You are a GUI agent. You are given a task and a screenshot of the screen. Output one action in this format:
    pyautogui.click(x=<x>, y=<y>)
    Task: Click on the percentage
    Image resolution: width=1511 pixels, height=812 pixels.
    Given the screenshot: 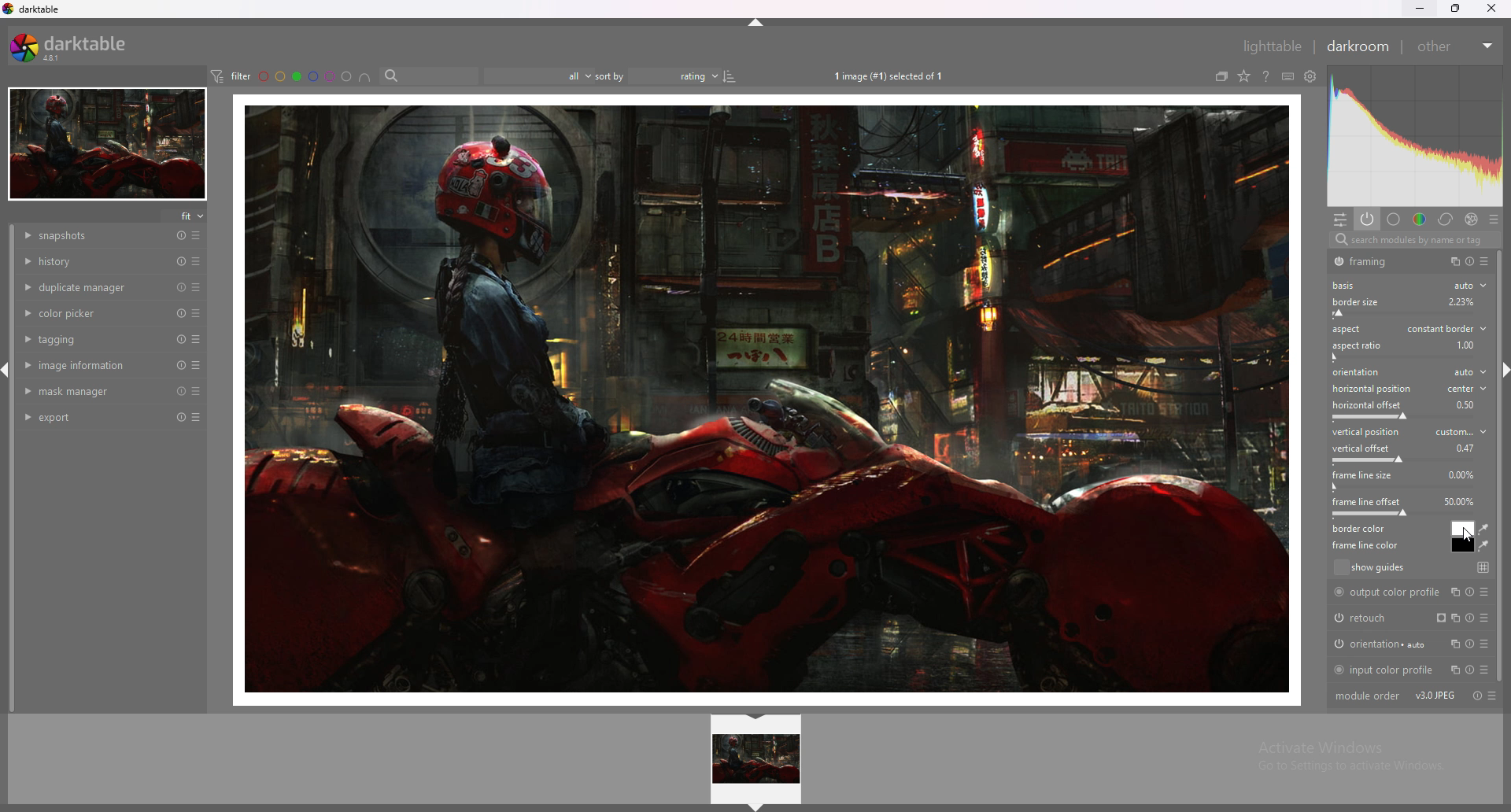 What is the action you would take?
    pyautogui.click(x=1458, y=502)
    